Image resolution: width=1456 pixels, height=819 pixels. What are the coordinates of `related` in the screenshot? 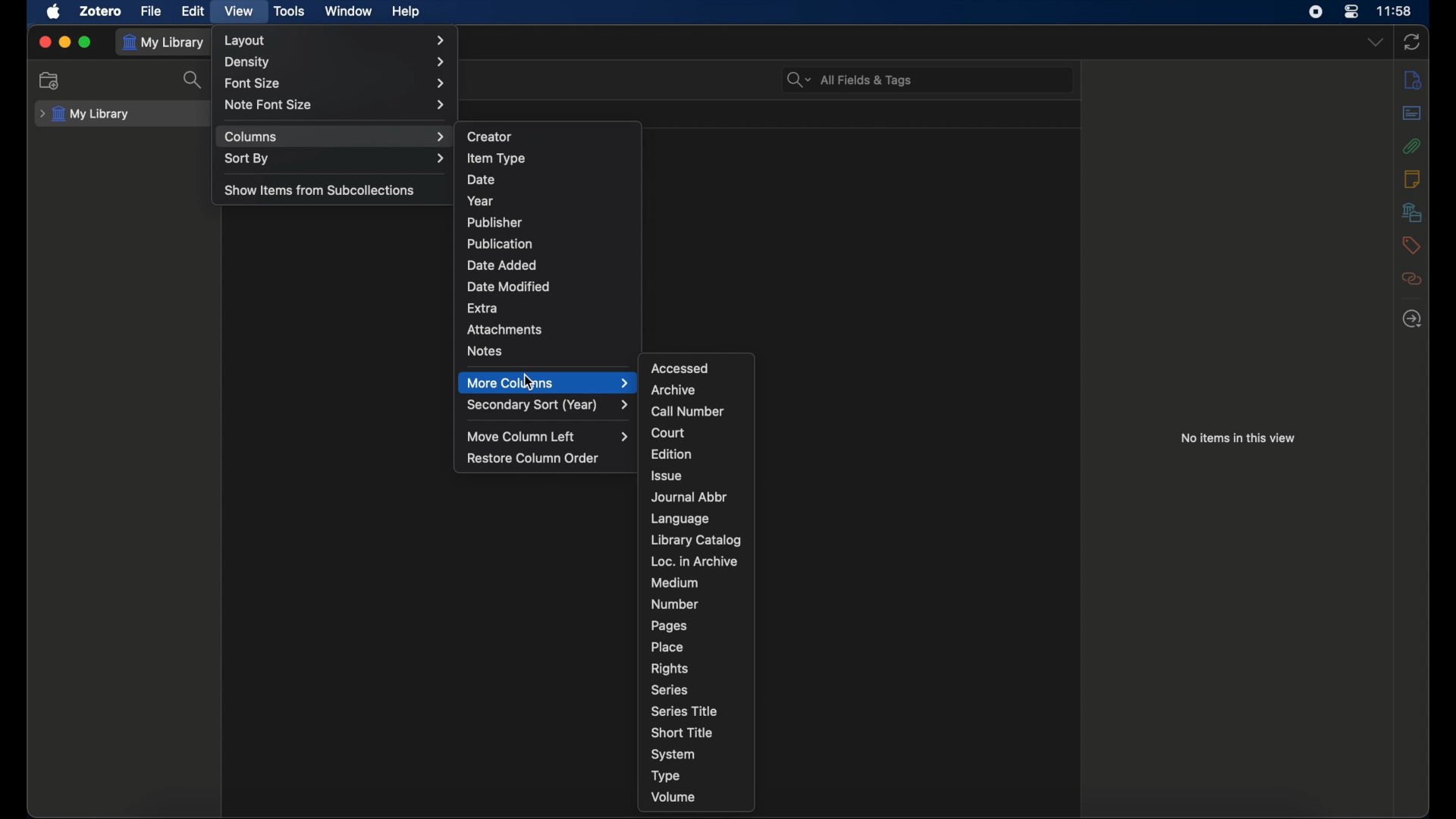 It's located at (1412, 279).